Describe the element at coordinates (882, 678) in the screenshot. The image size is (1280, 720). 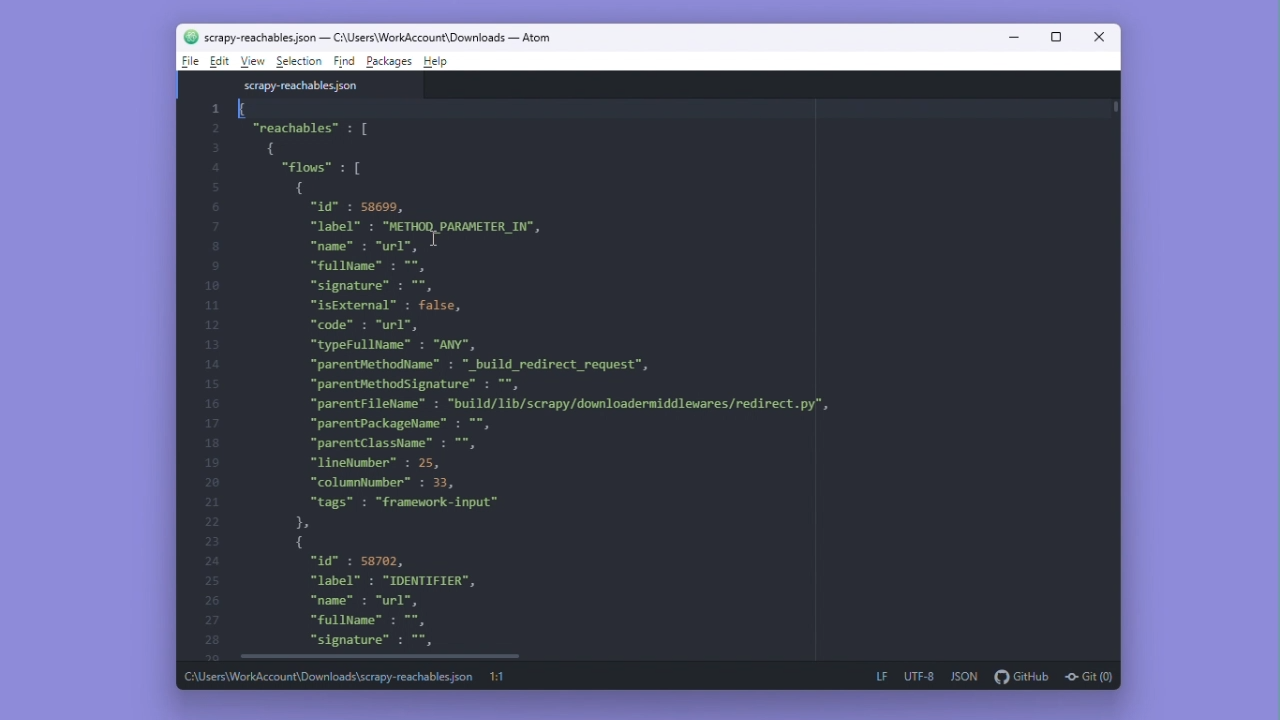
I see `LF` at that location.